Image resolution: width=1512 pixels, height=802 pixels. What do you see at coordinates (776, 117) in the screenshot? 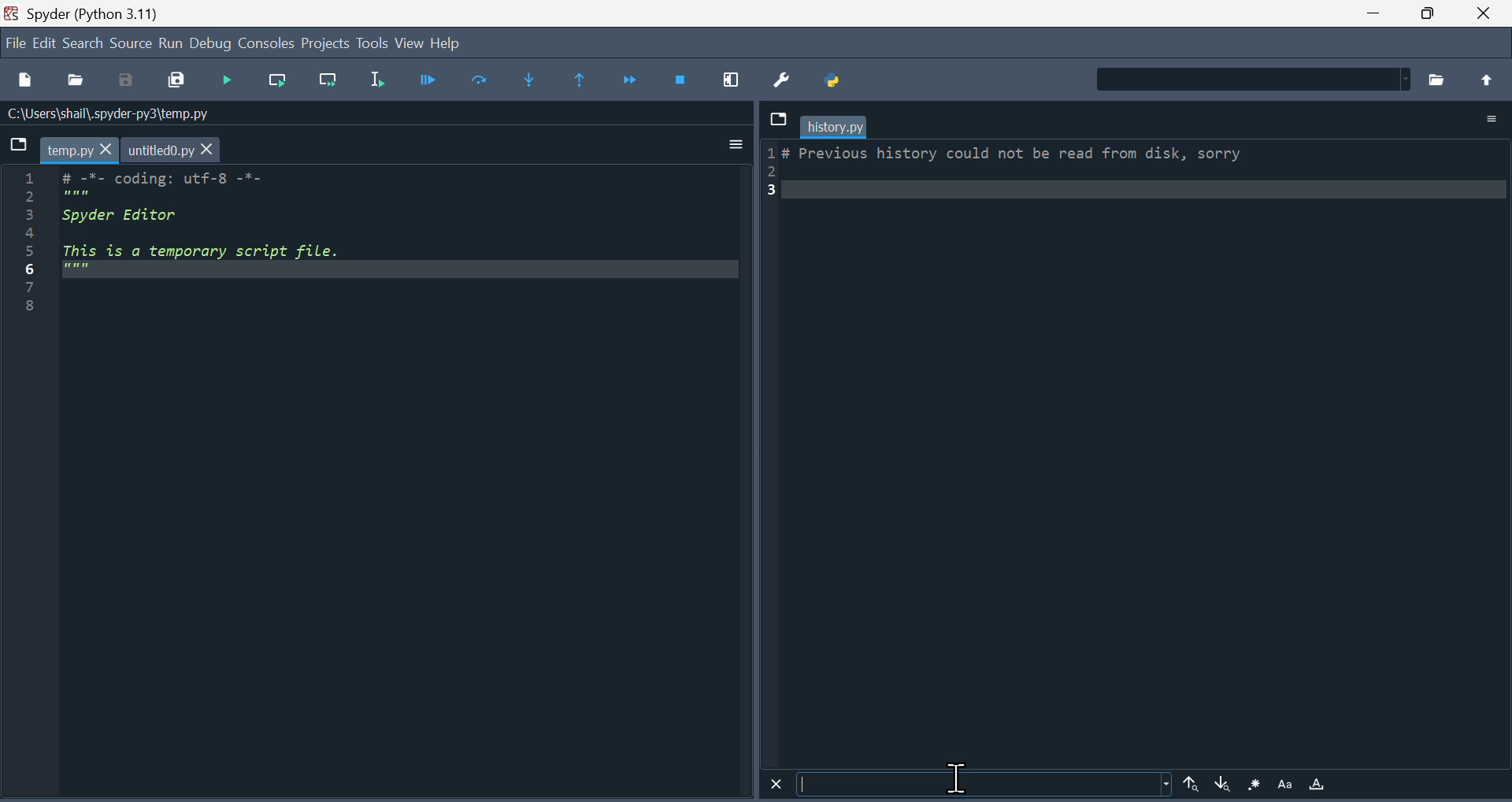
I see `Dropdown` at bounding box center [776, 117].